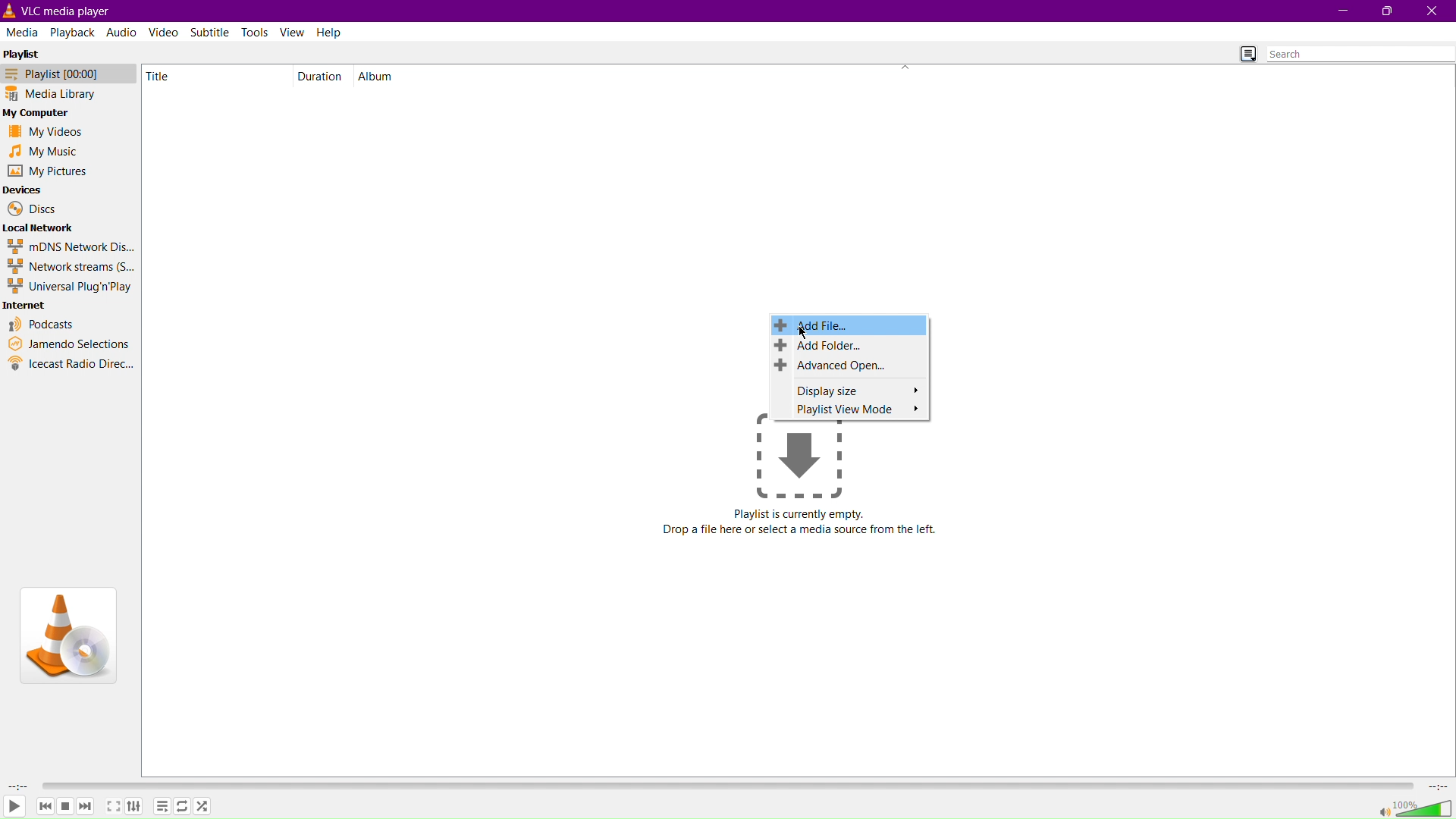  What do you see at coordinates (800, 514) in the screenshot?
I see `Playlist is currently empty.` at bounding box center [800, 514].